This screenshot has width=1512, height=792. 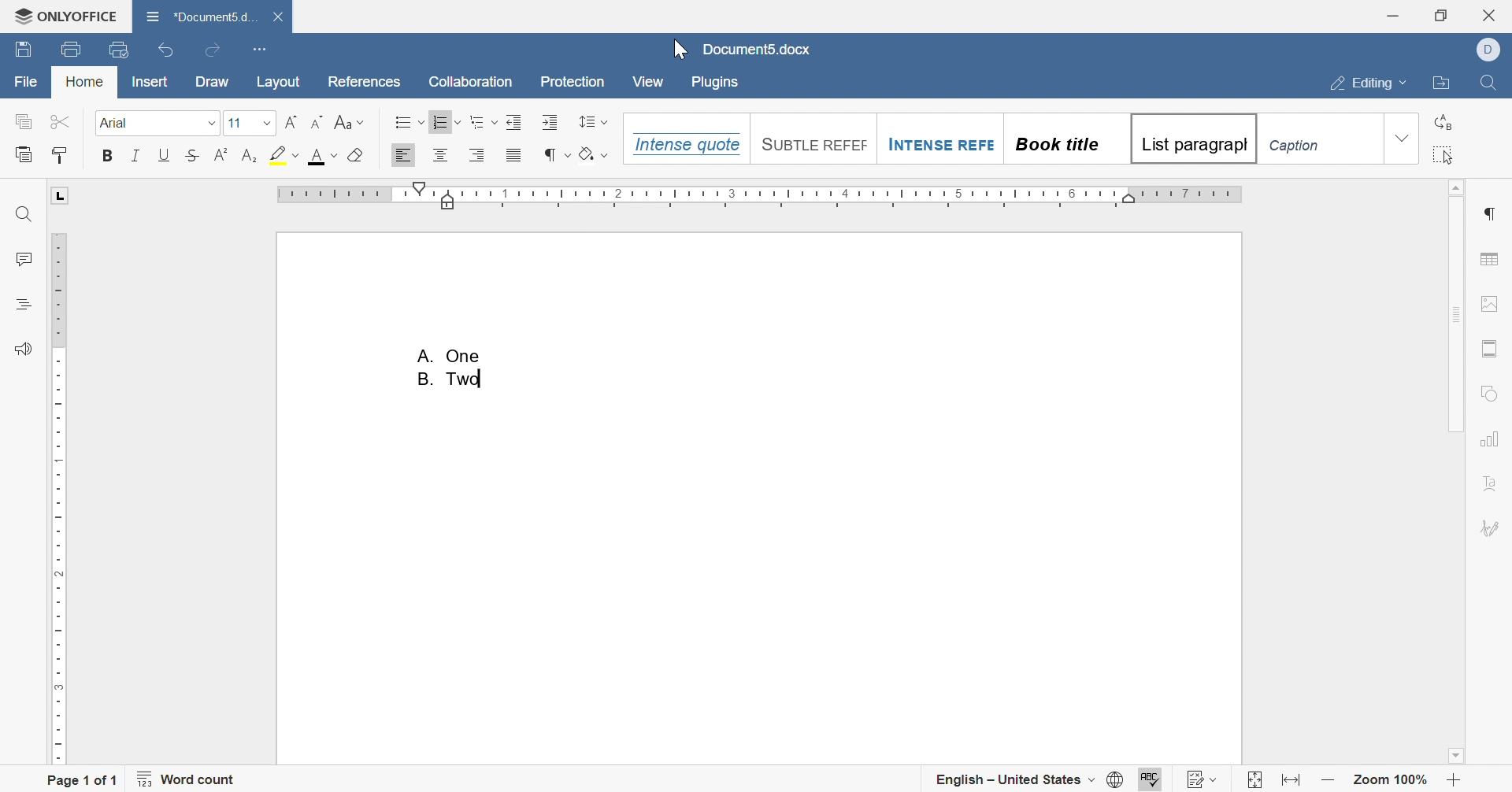 I want to click on highlight color, so click(x=286, y=154).